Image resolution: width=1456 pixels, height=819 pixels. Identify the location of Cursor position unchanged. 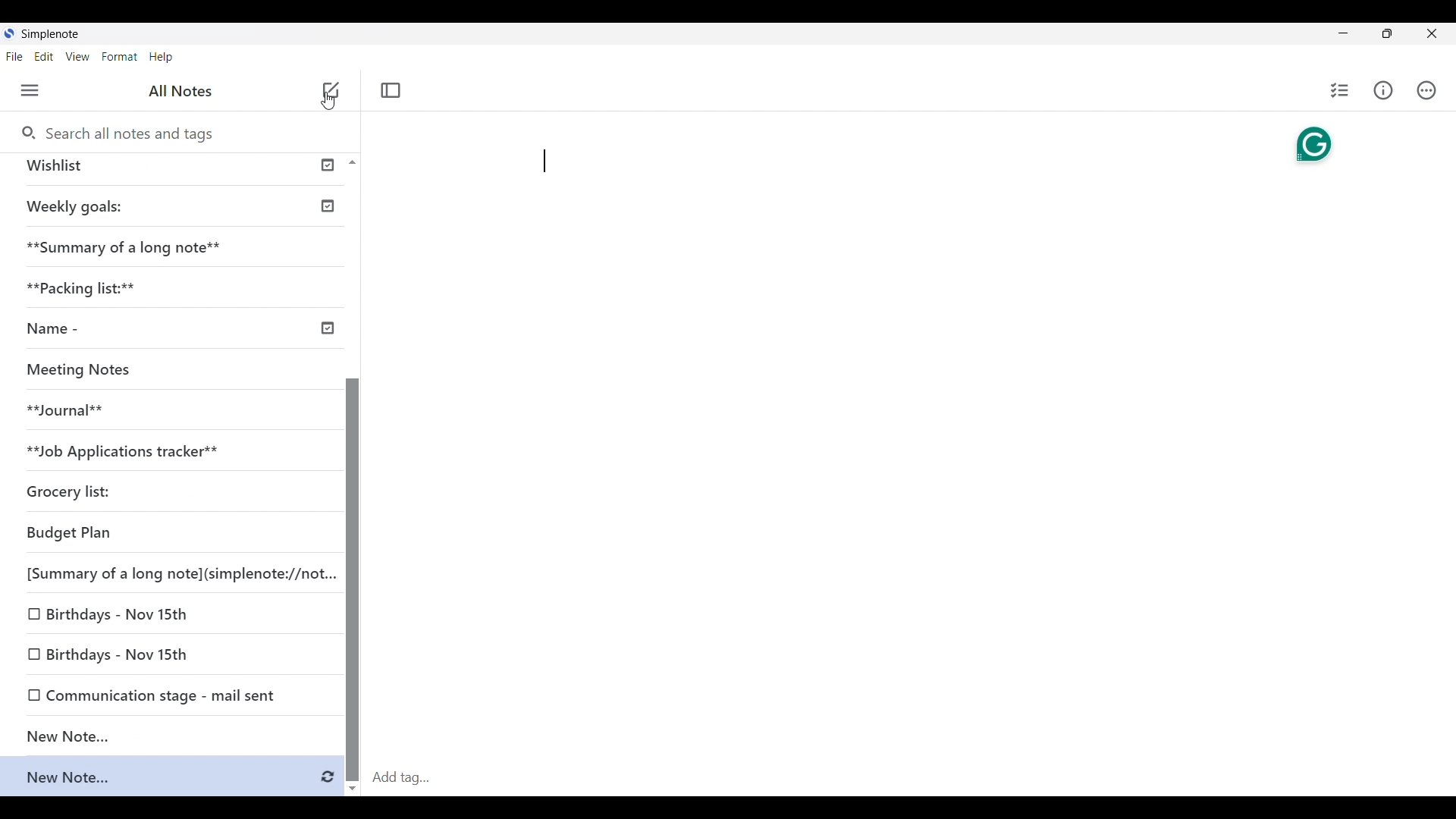
(329, 95).